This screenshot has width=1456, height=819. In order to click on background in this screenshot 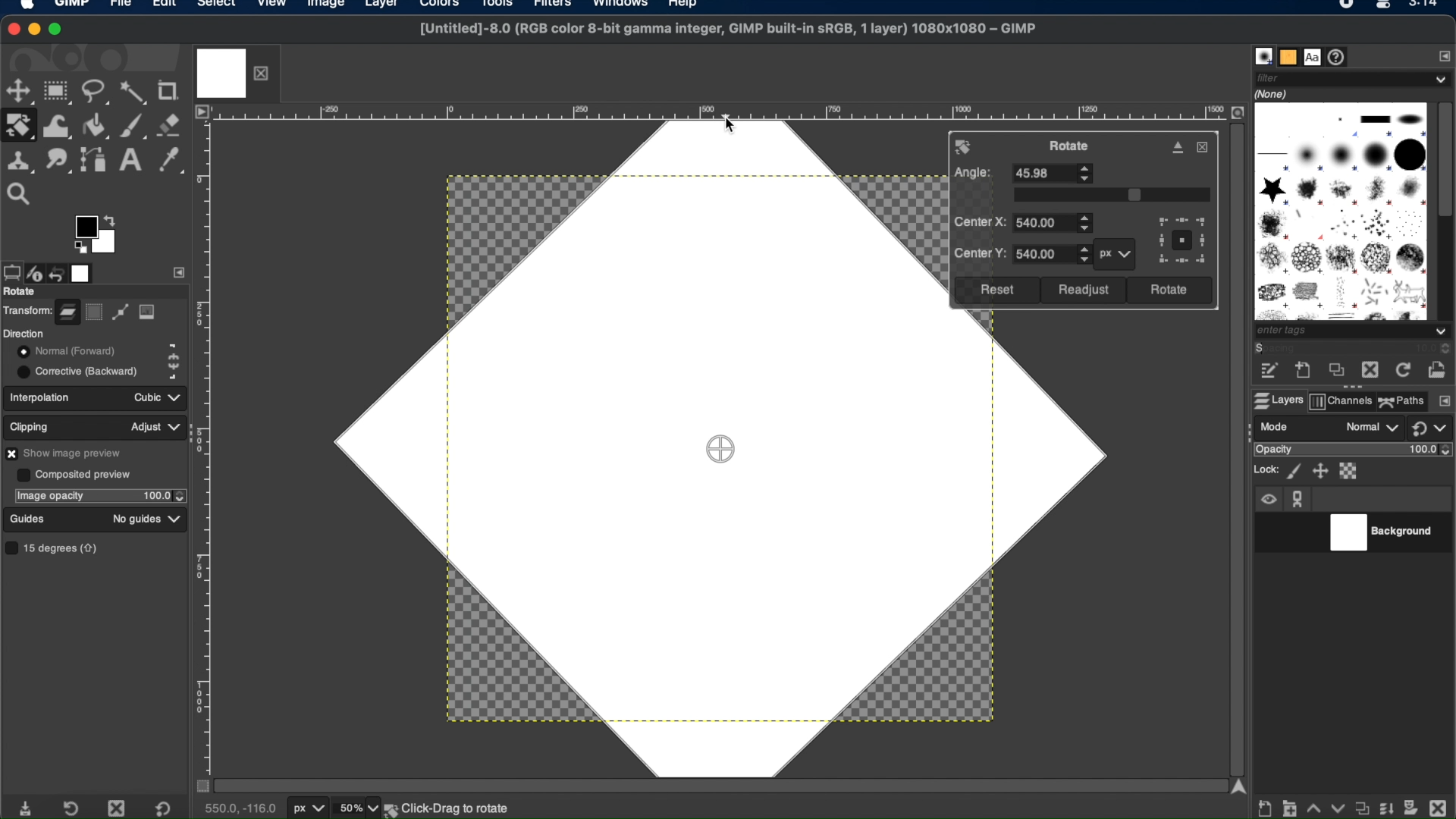, I will do `click(1386, 533)`.